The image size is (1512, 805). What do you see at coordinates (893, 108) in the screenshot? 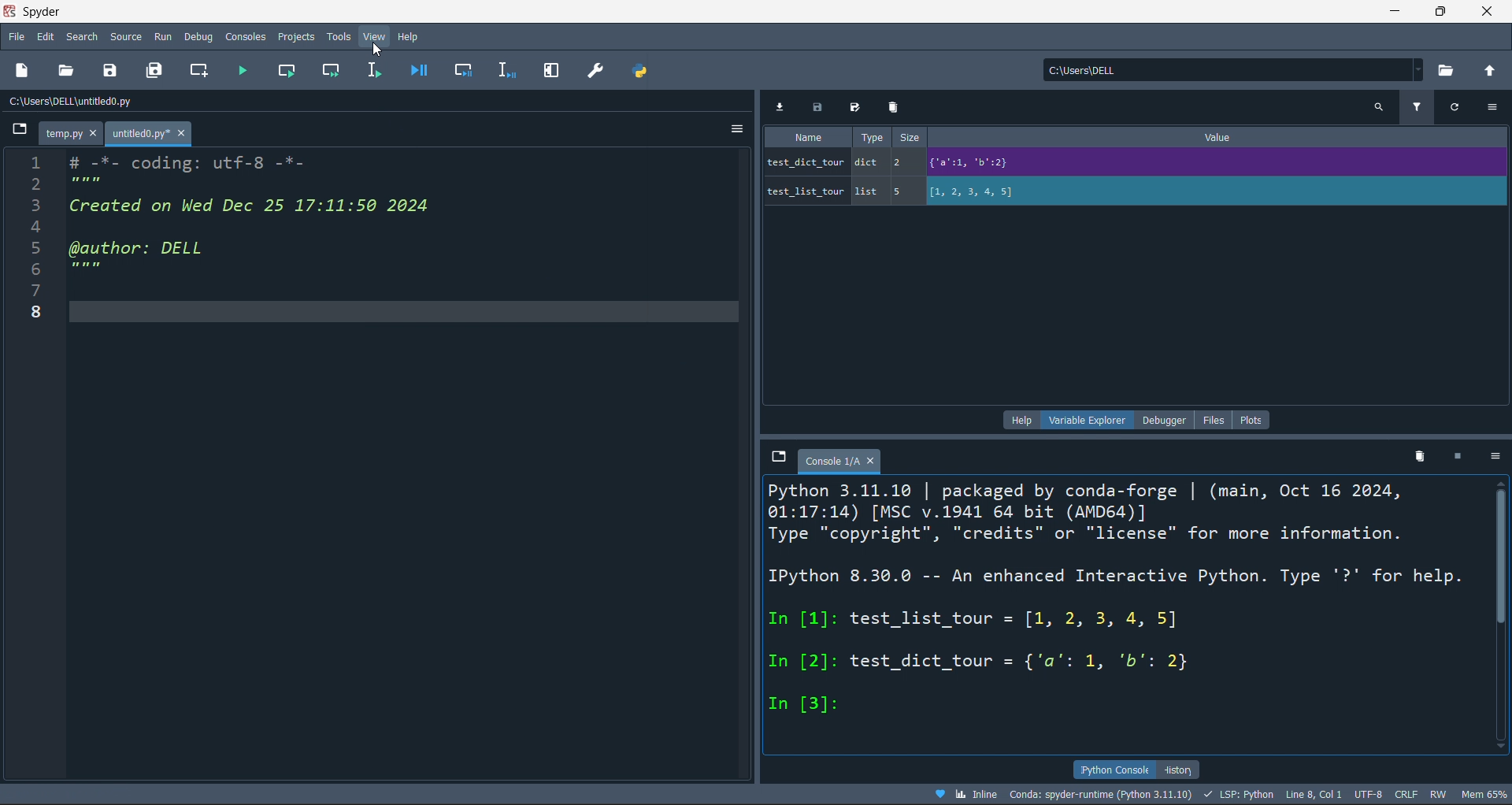
I see `delete` at bounding box center [893, 108].